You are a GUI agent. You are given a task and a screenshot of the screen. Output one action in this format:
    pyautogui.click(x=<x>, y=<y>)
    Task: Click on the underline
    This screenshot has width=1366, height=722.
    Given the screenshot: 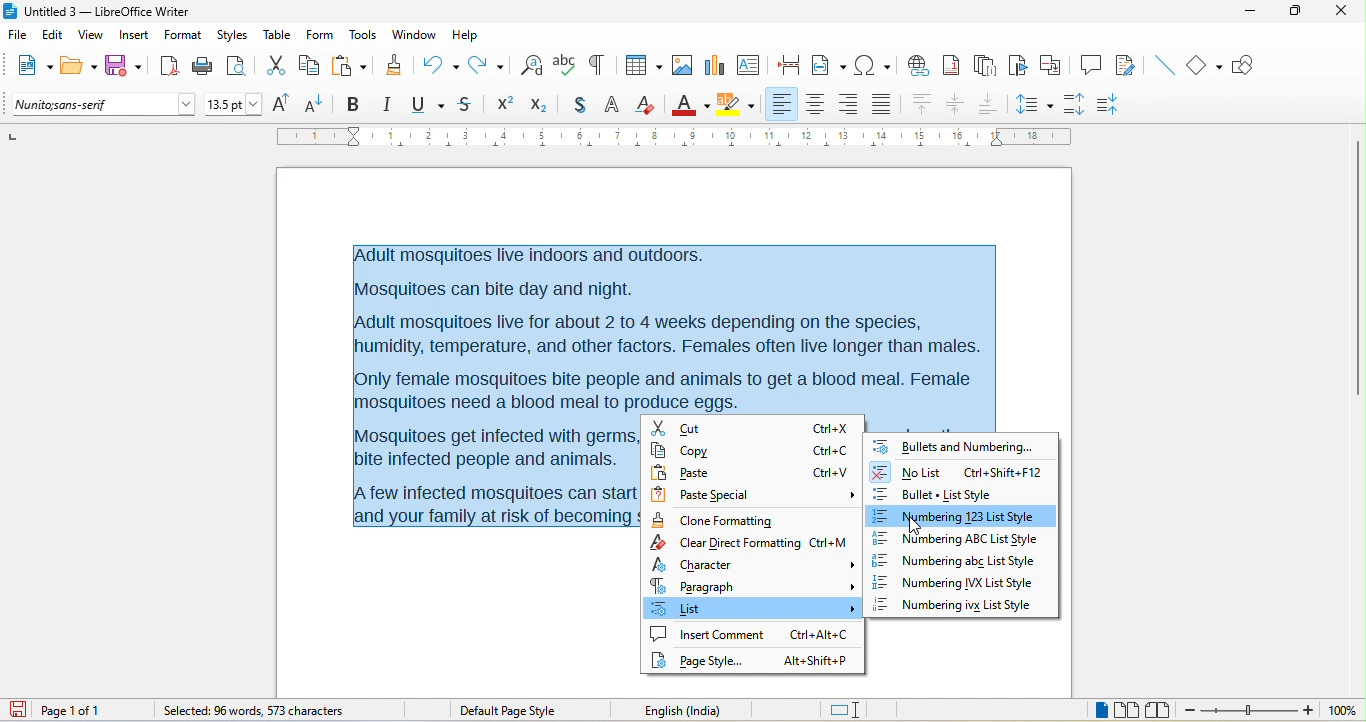 What is the action you would take?
    pyautogui.click(x=429, y=105)
    